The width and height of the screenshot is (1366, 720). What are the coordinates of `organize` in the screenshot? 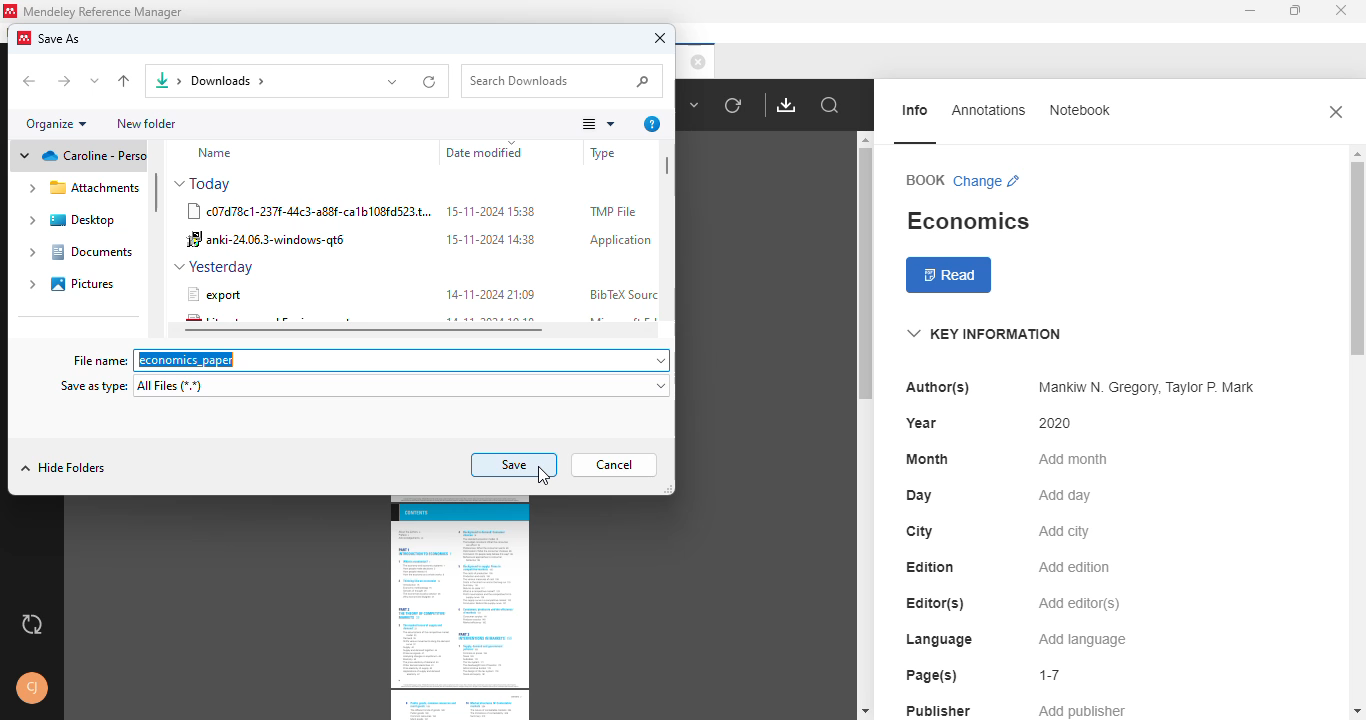 It's located at (56, 124).